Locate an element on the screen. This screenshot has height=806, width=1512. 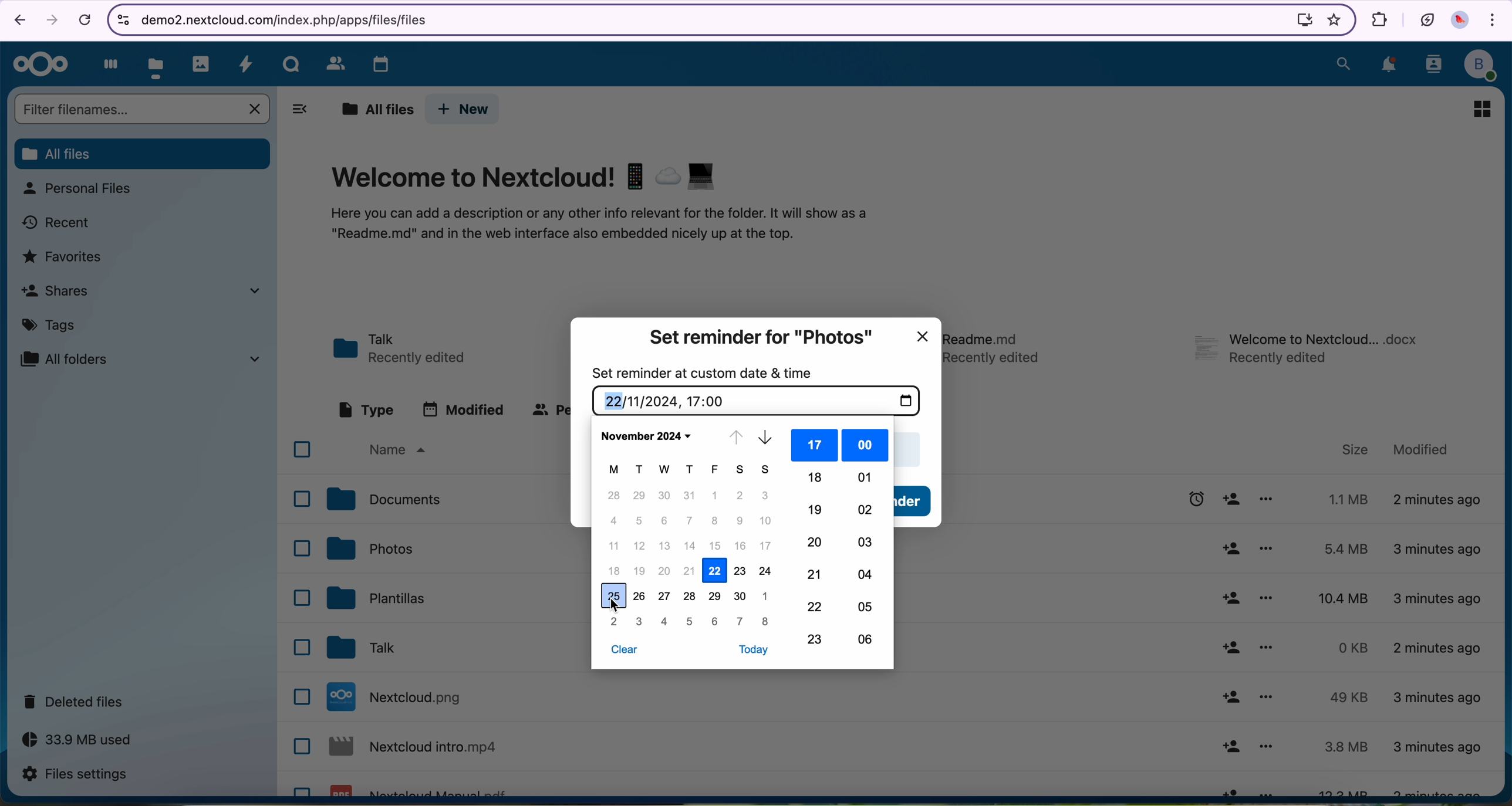
share is located at coordinates (1230, 747).